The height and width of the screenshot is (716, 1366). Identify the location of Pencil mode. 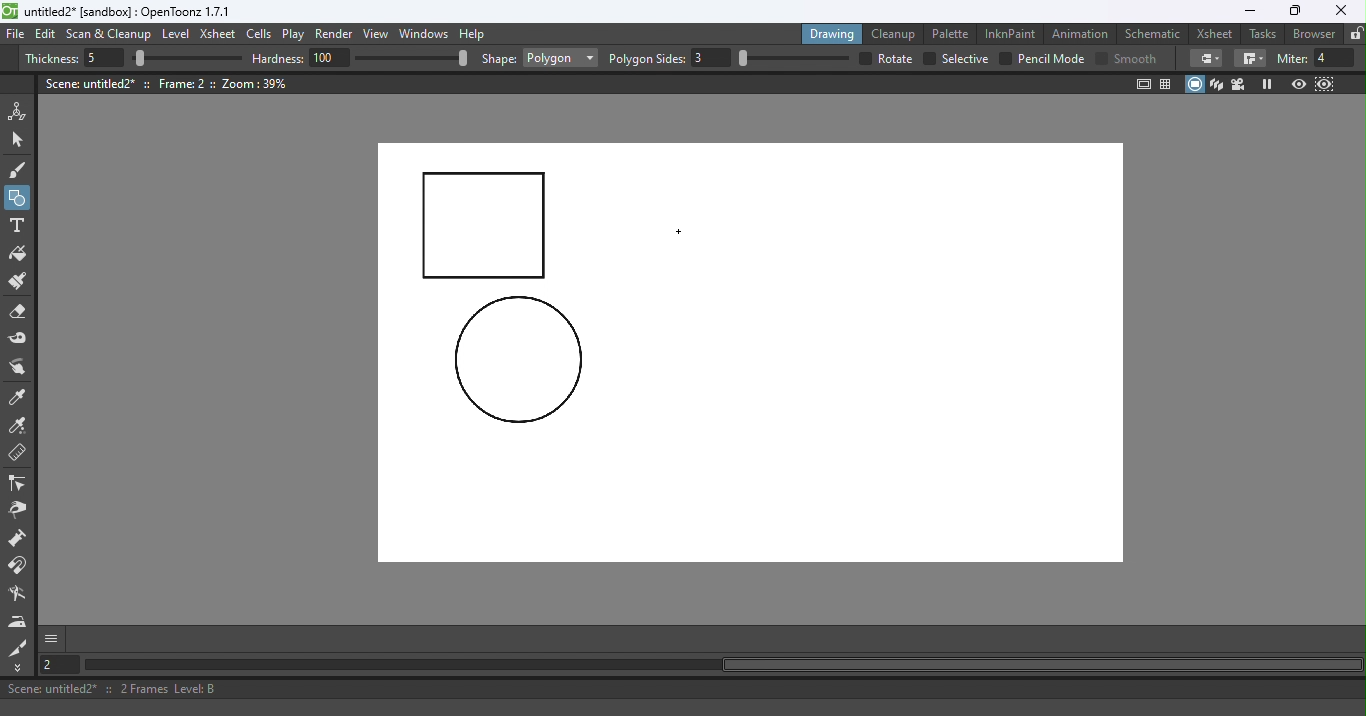
(1050, 59).